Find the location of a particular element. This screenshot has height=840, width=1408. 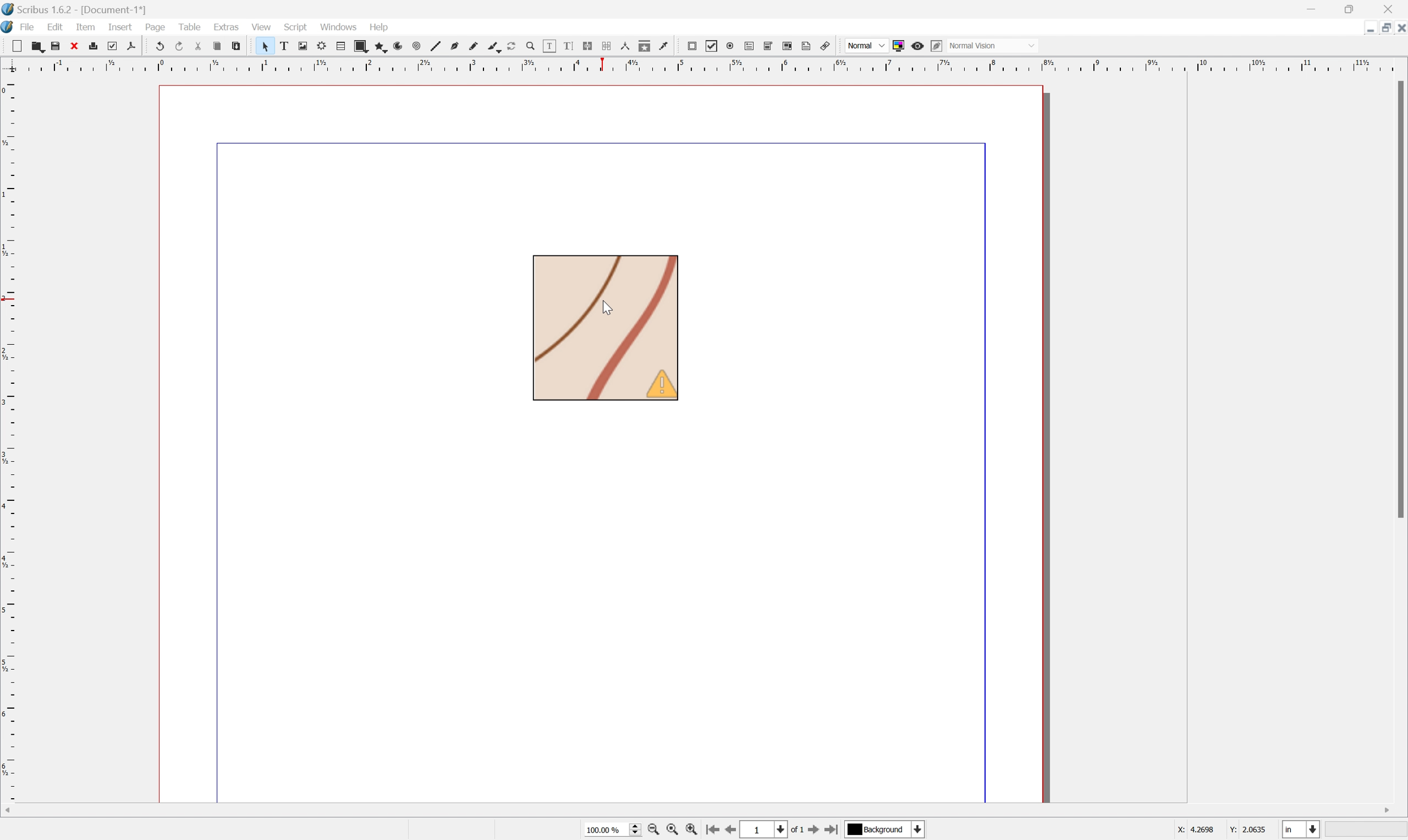

Edit text with story editor is located at coordinates (574, 46).